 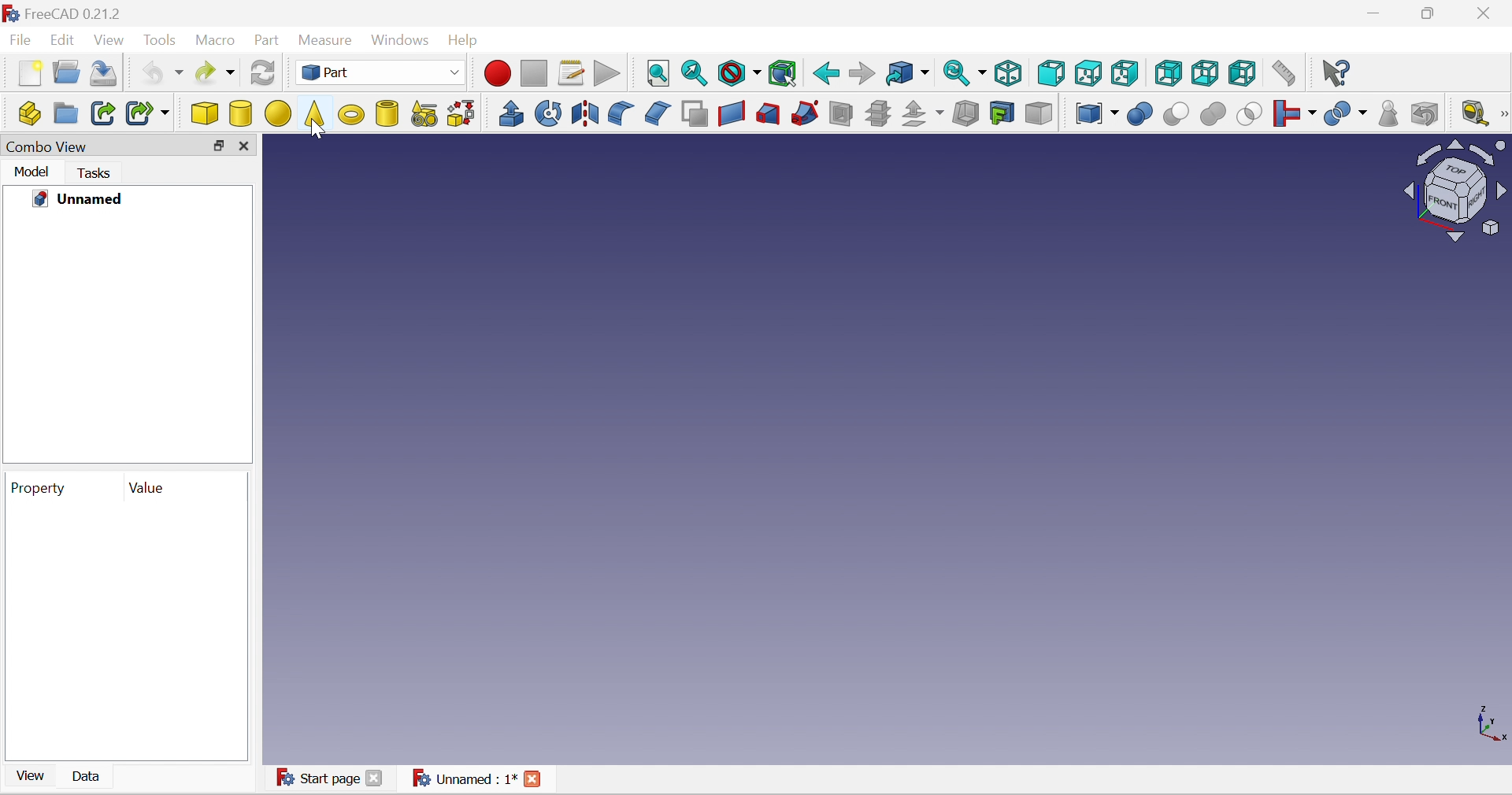 What do you see at coordinates (145, 113) in the screenshot?
I see `Make sub-link` at bounding box center [145, 113].